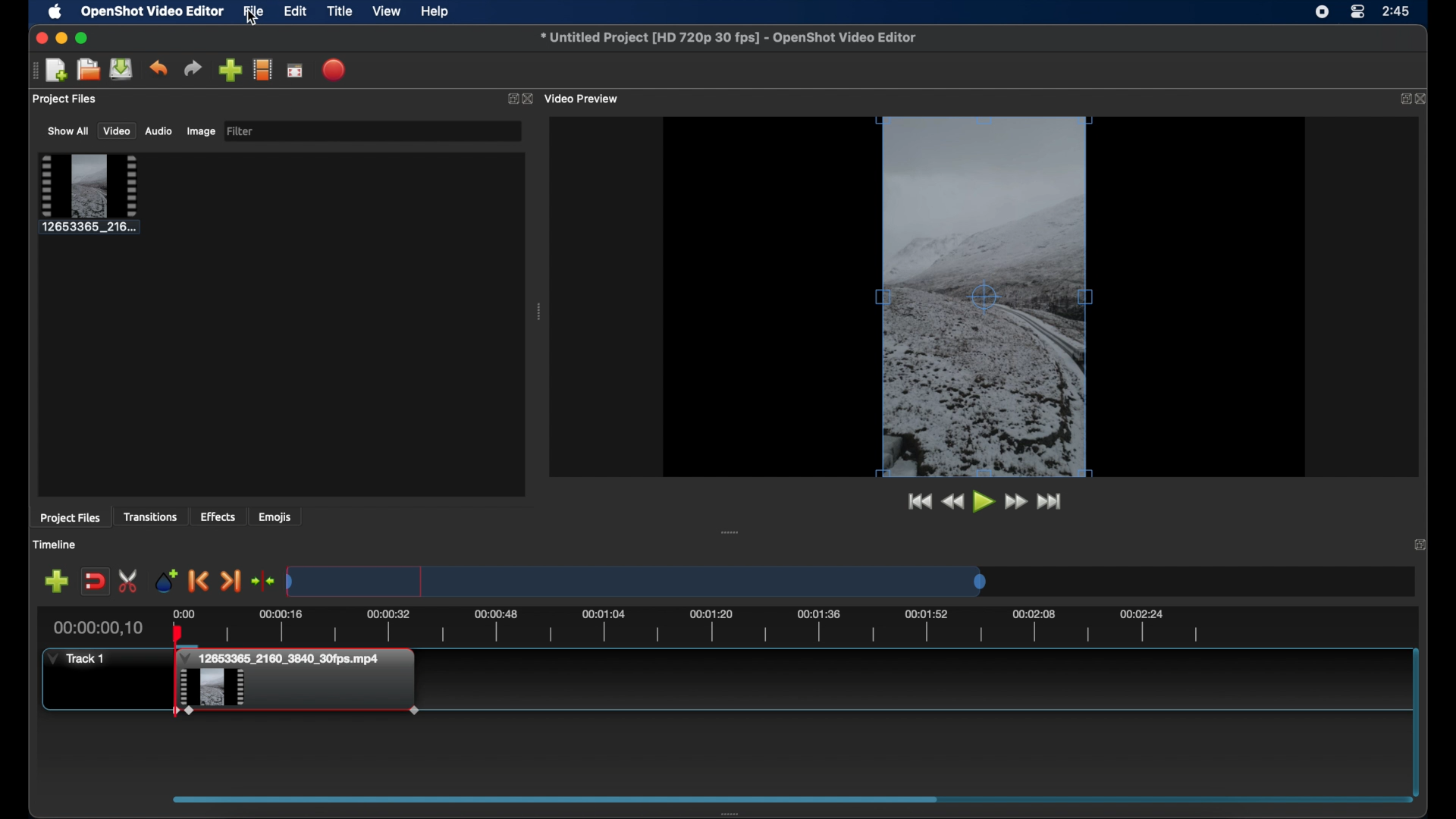 The height and width of the screenshot is (819, 1456). What do you see at coordinates (31, 71) in the screenshot?
I see `drag handle` at bounding box center [31, 71].